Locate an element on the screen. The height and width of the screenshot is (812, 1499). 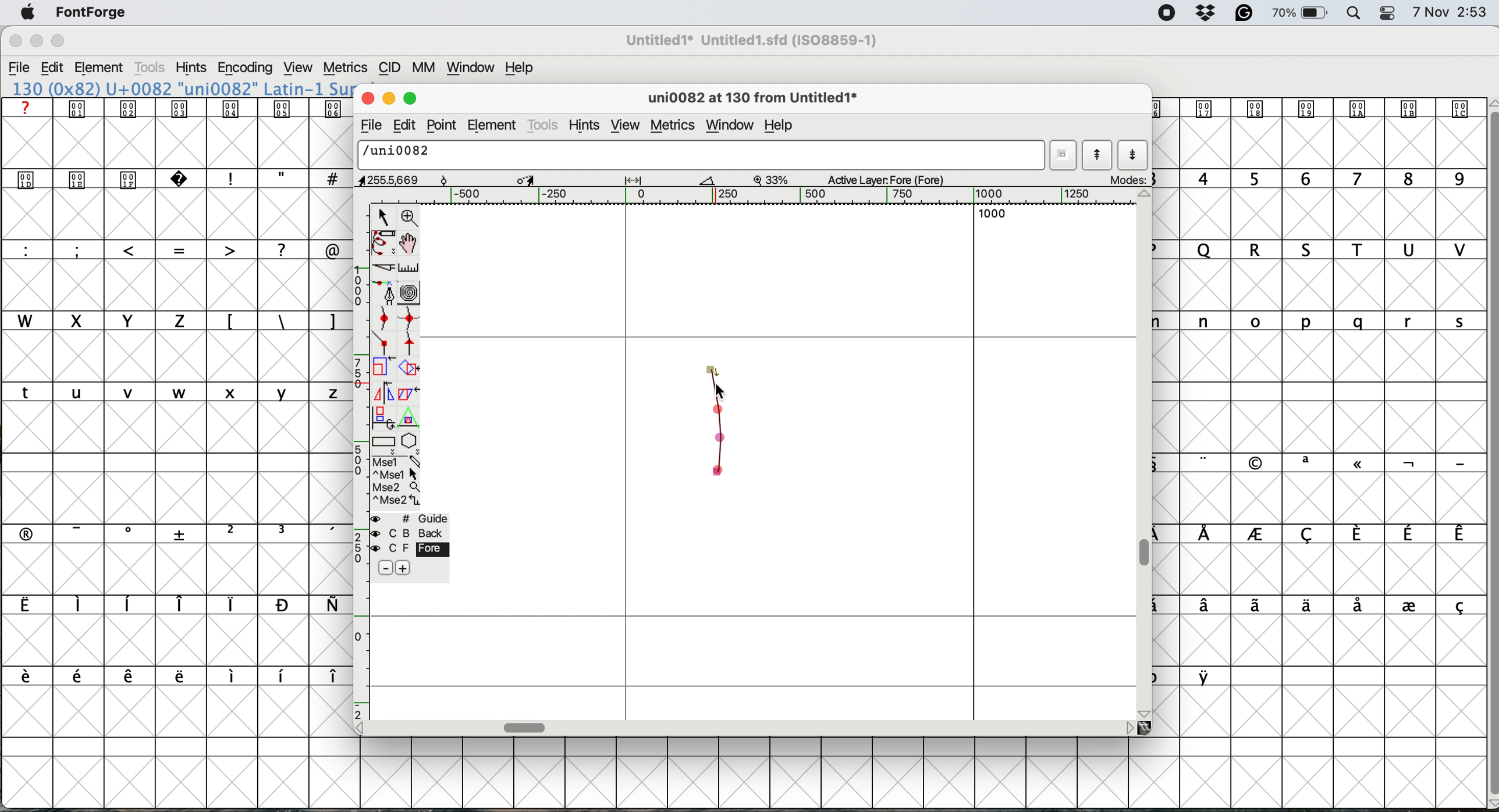
hints is located at coordinates (192, 69).